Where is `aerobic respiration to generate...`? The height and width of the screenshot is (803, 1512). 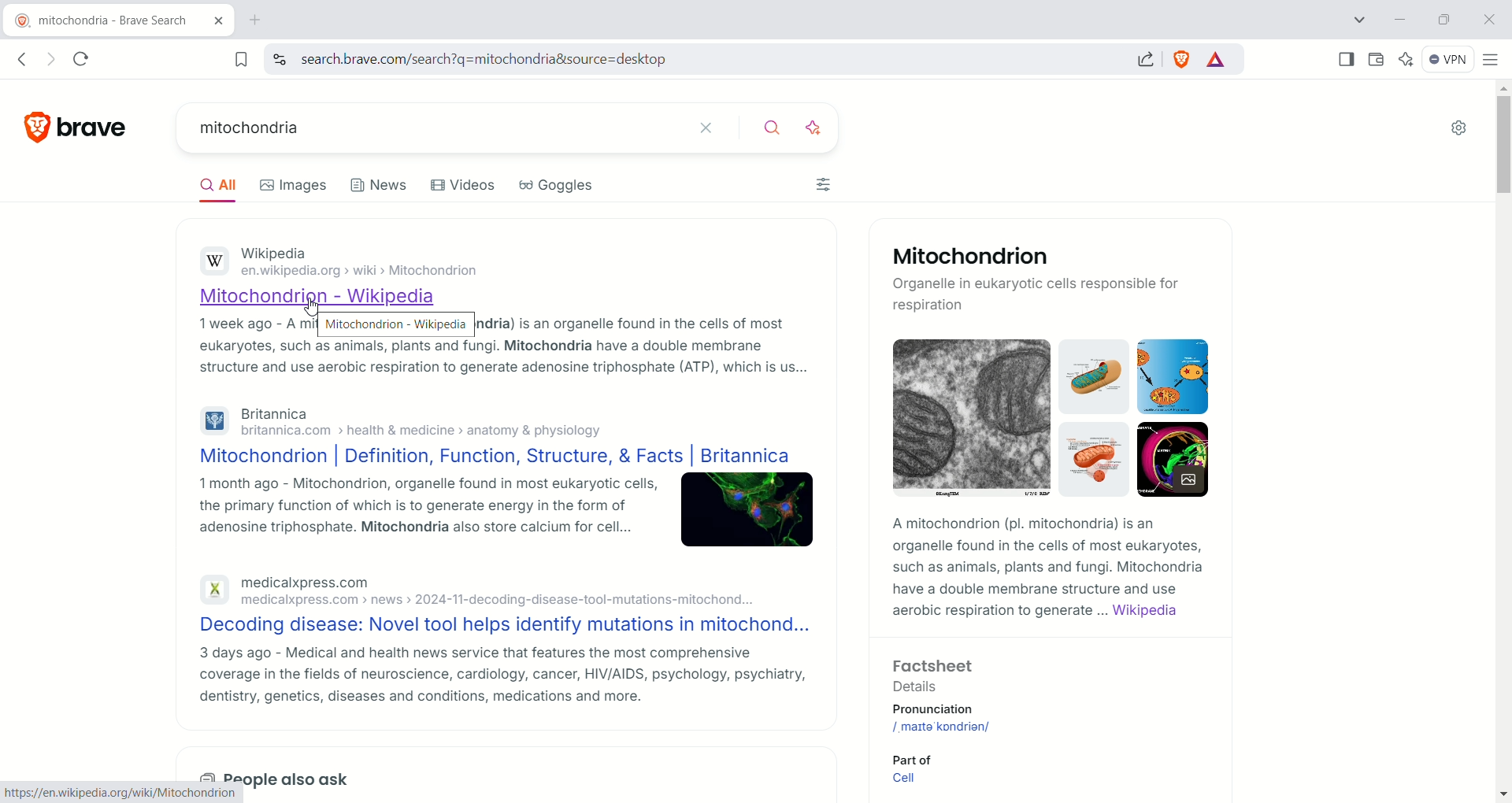
aerobic respiration to generate... is located at coordinates (999, 609).